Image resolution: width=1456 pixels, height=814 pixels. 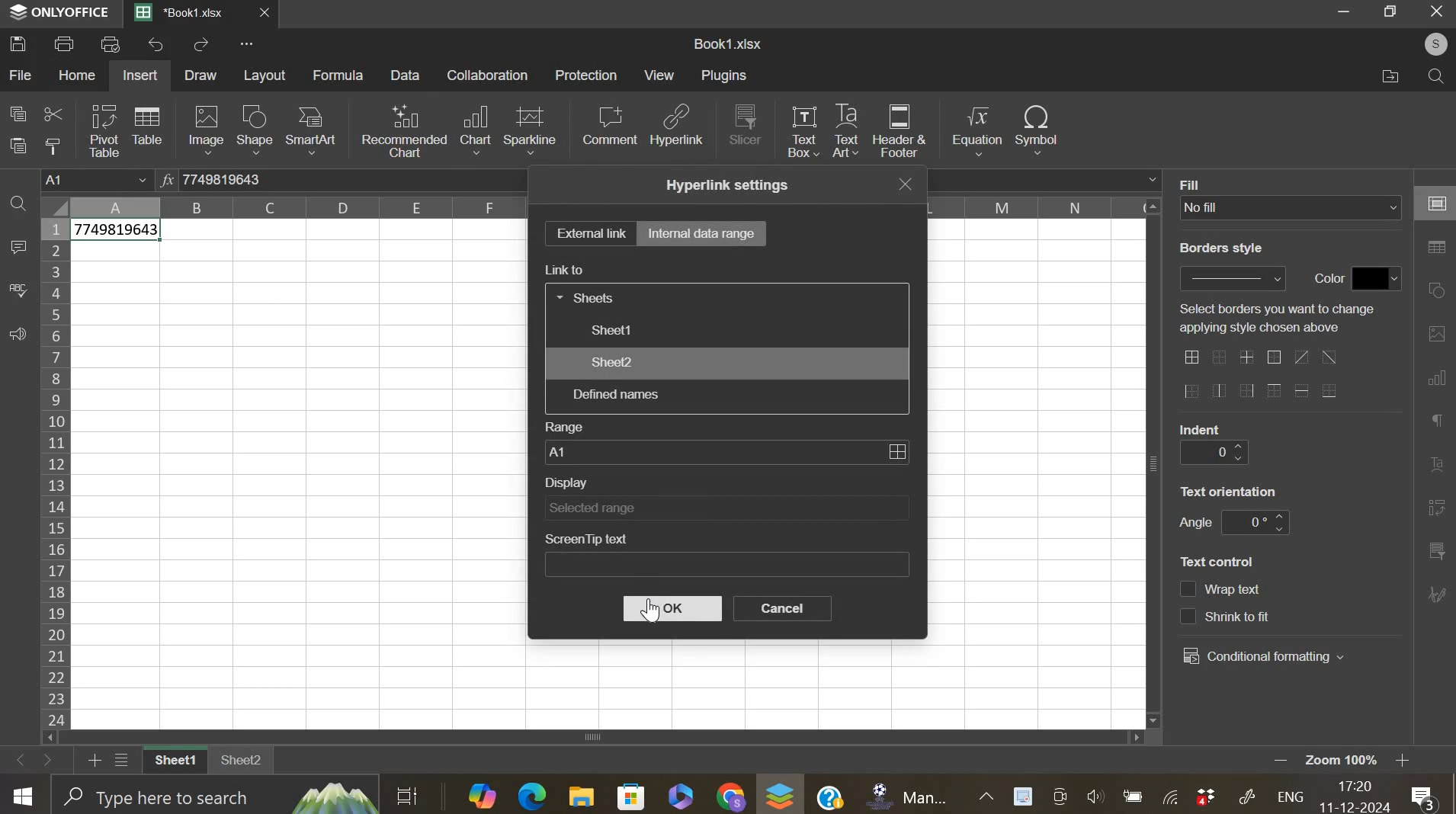 I want to click on sparkline, so click(x=530, y=129).